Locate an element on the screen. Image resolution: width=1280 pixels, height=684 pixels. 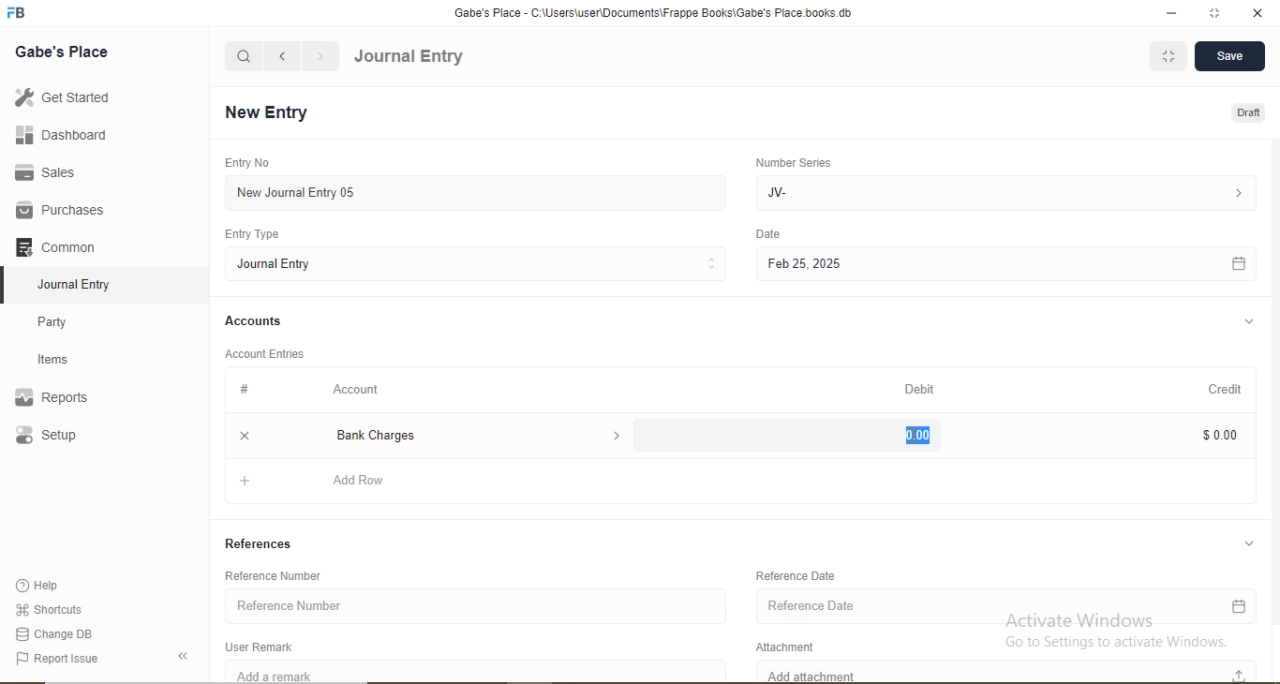
Entry Type is located at coordinates (254, 234).